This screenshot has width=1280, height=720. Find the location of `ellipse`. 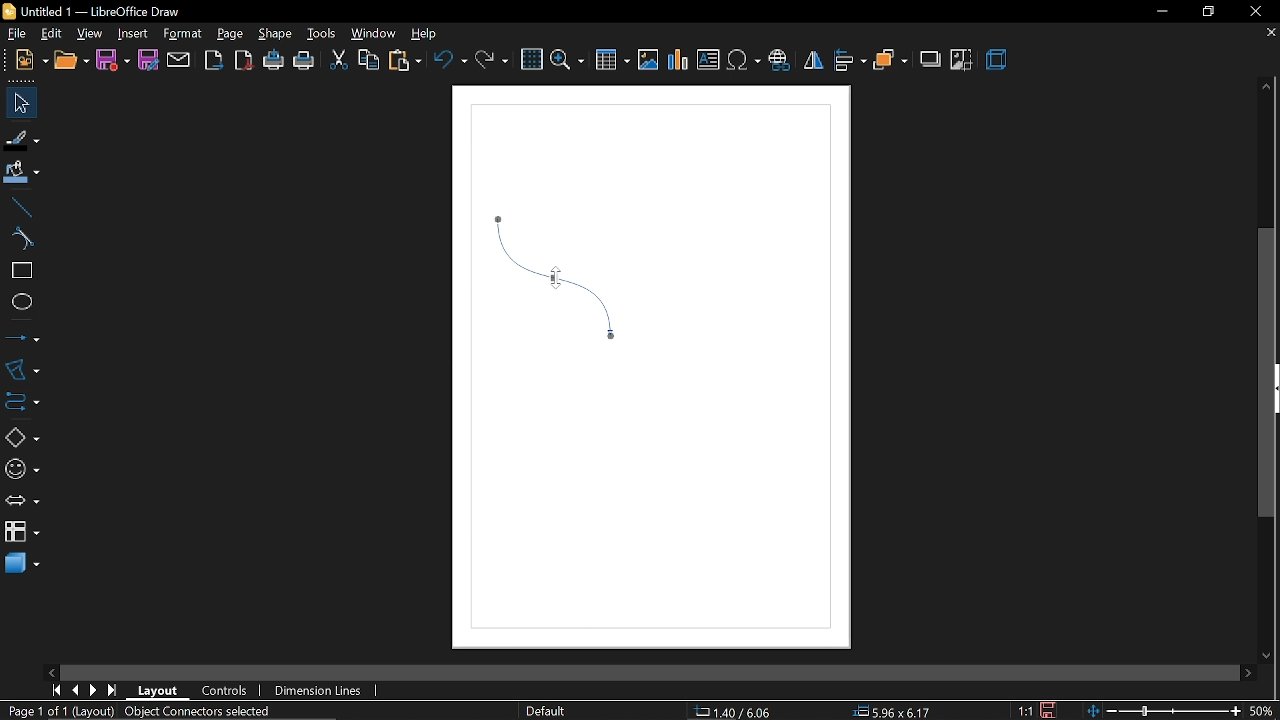

ellipse is located at coordinates (18, 300).